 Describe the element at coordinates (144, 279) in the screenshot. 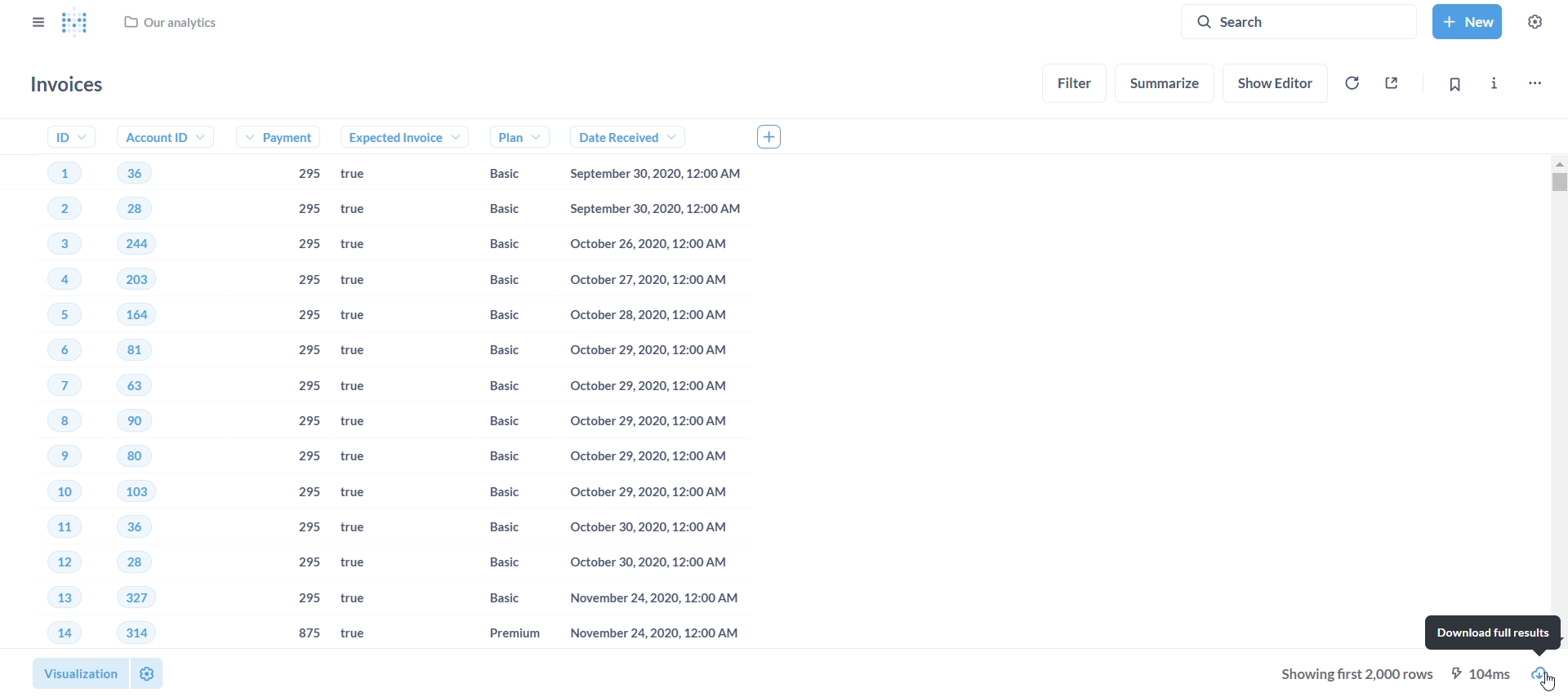

I see `203` at that location.